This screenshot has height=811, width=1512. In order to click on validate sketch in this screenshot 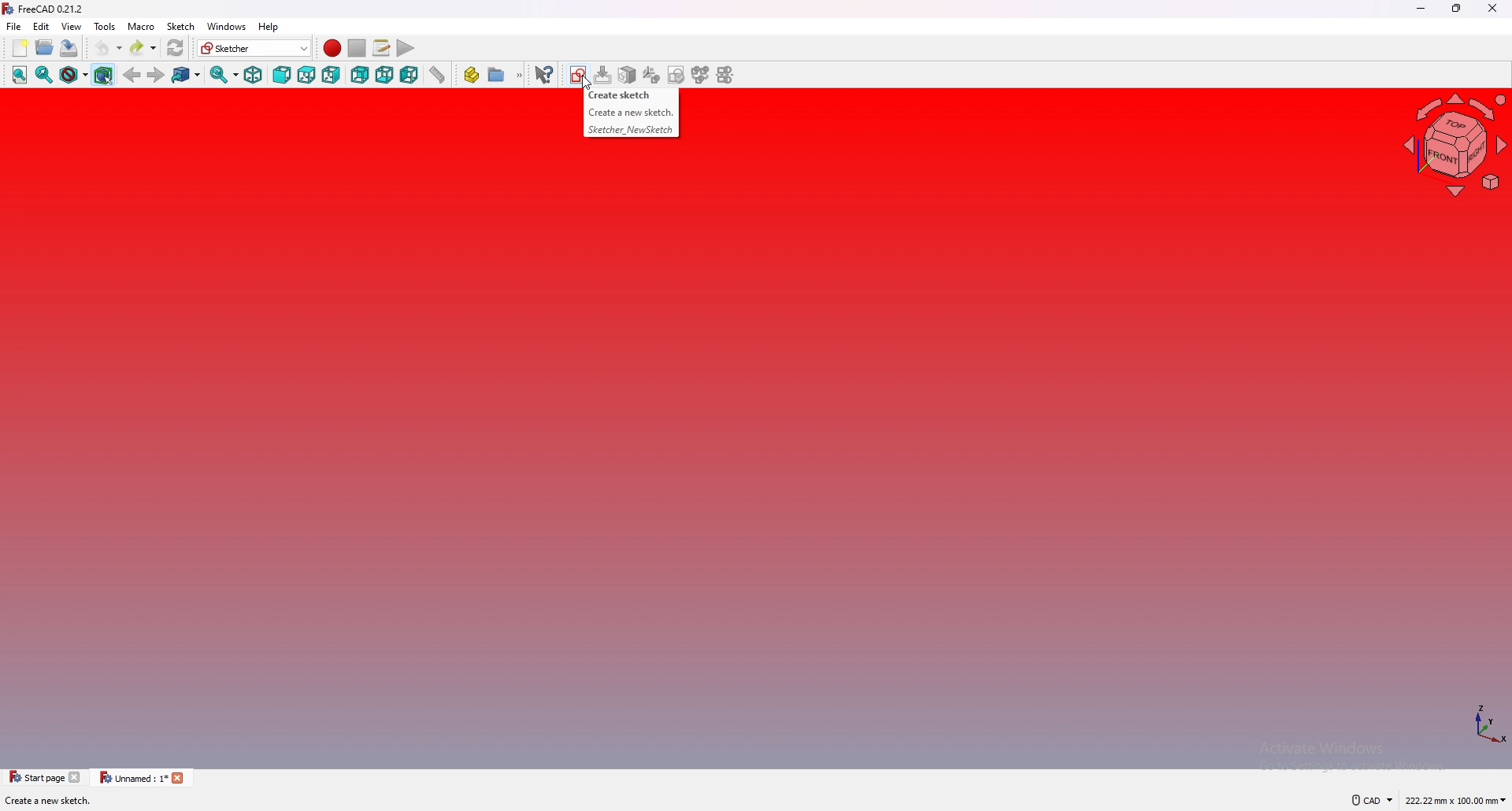, I will do `click(677, 74)`.